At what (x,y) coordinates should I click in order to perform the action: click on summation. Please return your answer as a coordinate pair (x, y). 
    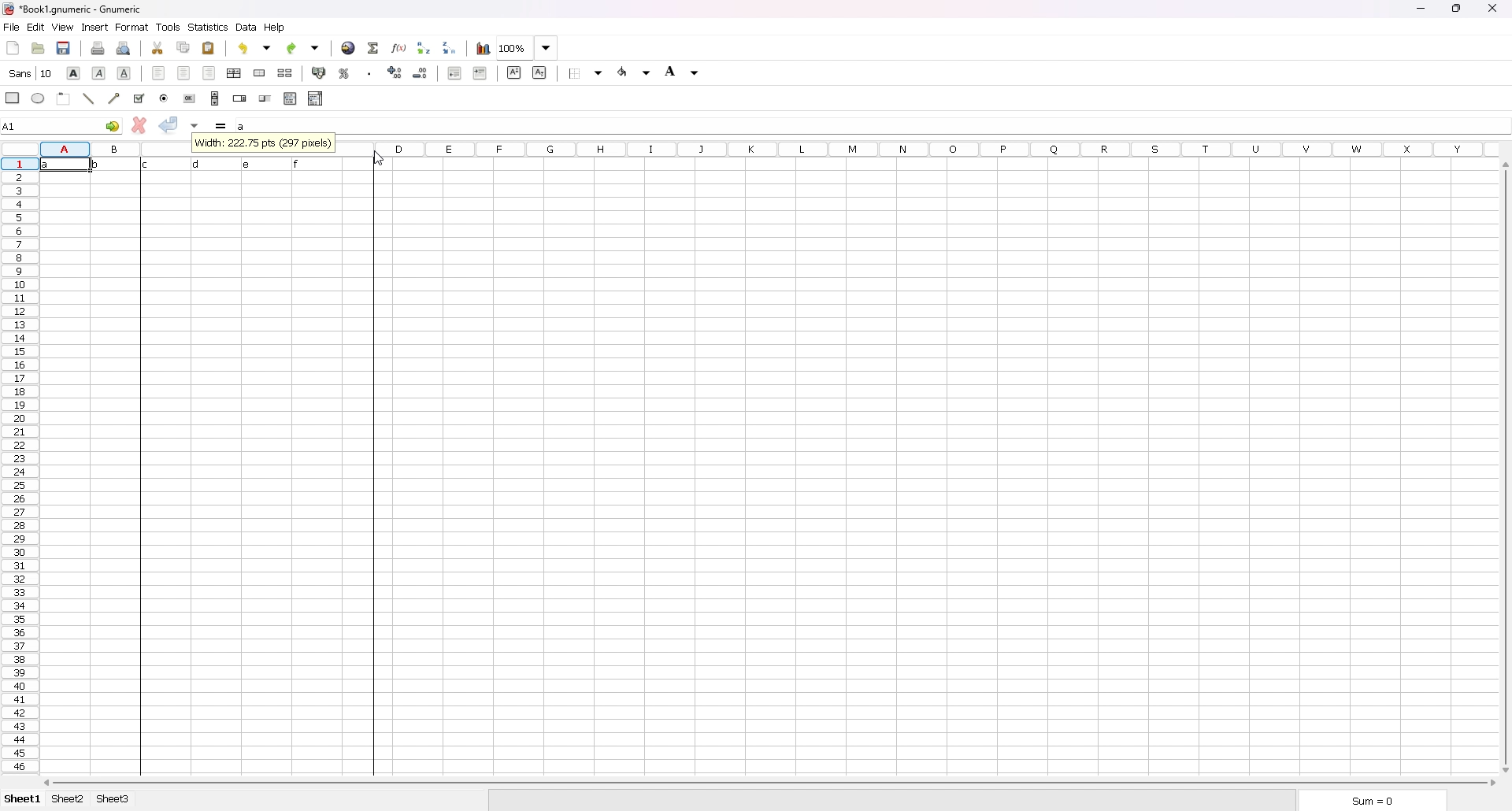
    Looking at the image, I should click on (374, 47).